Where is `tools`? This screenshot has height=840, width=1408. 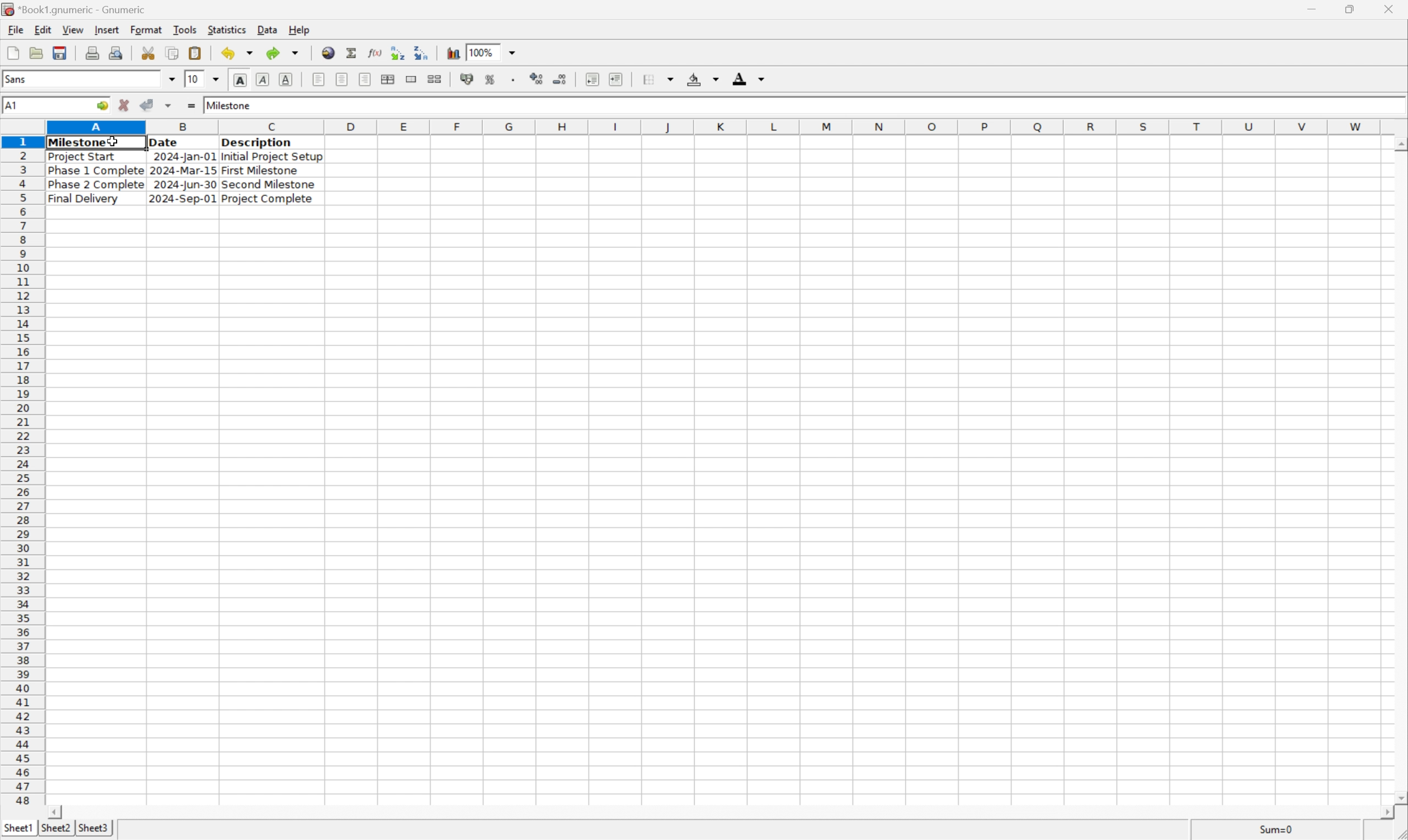
tools is located at coordinates (186, 29).